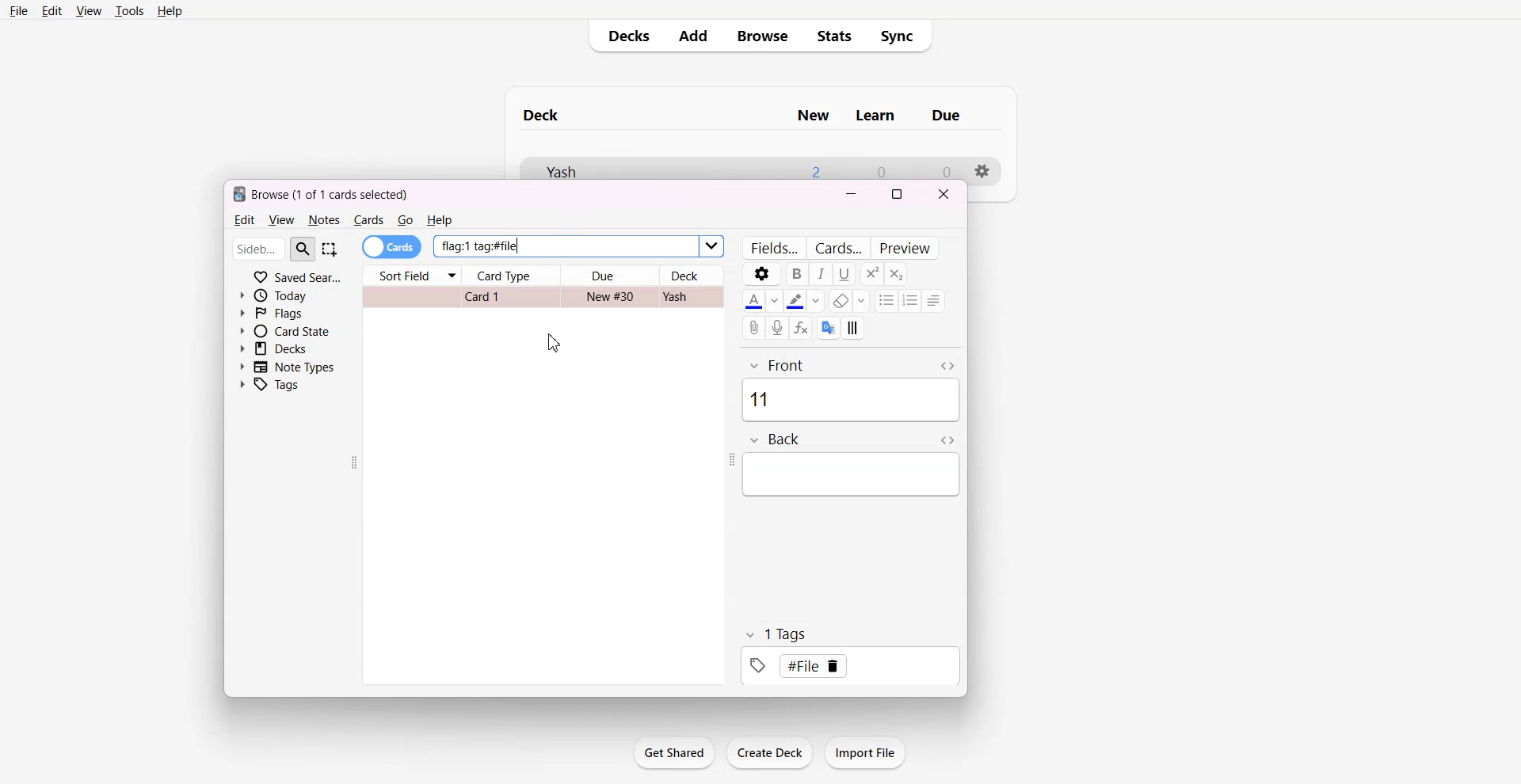 Image resolution: width=1521 pixels, height=784 pixels. I want to click on Cards, so click(368, 220).